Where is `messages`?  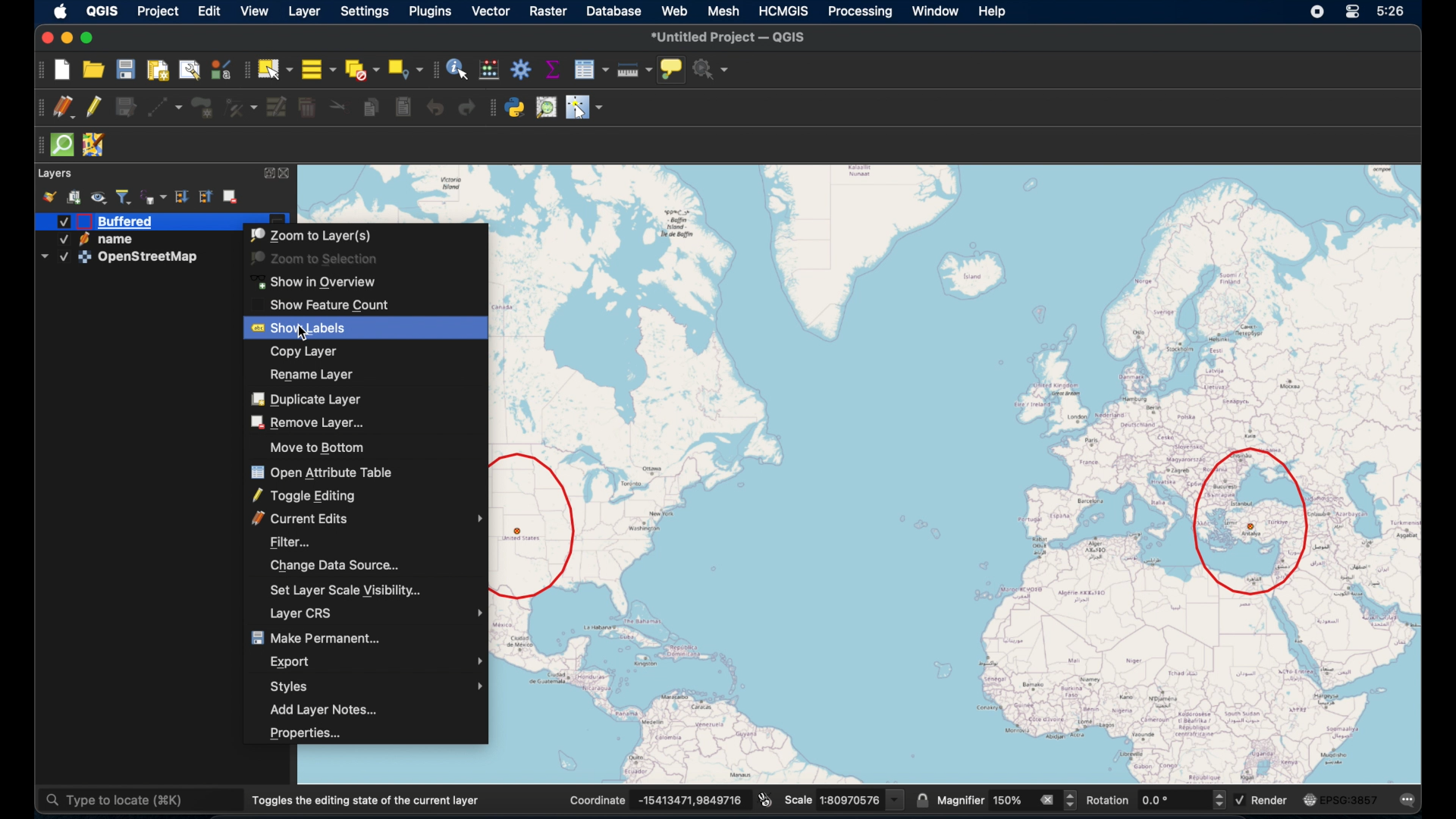
messages is located at coordinates (1410, 800).